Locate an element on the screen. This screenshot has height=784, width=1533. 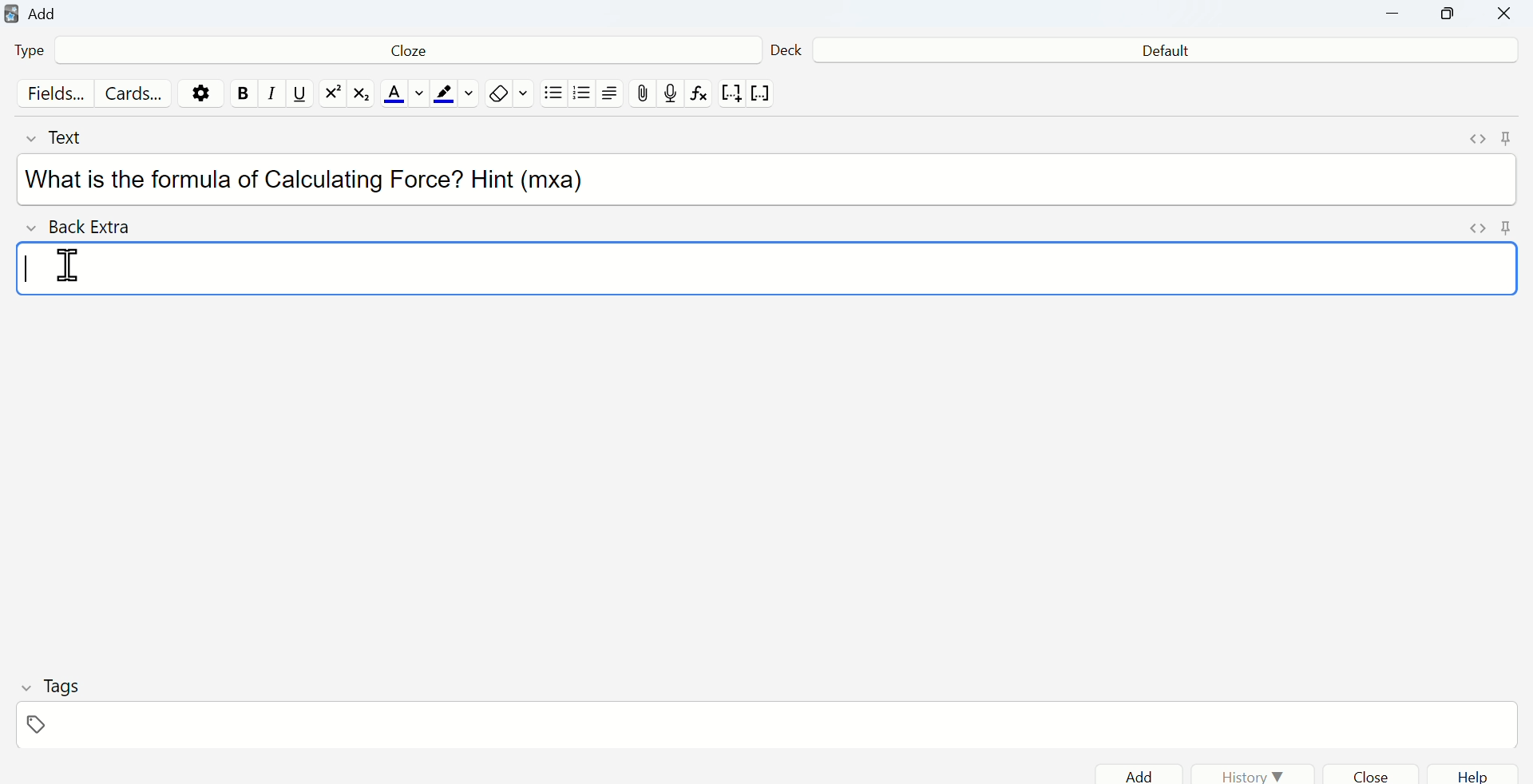
Numbered list is located at coordinates (584, 96).